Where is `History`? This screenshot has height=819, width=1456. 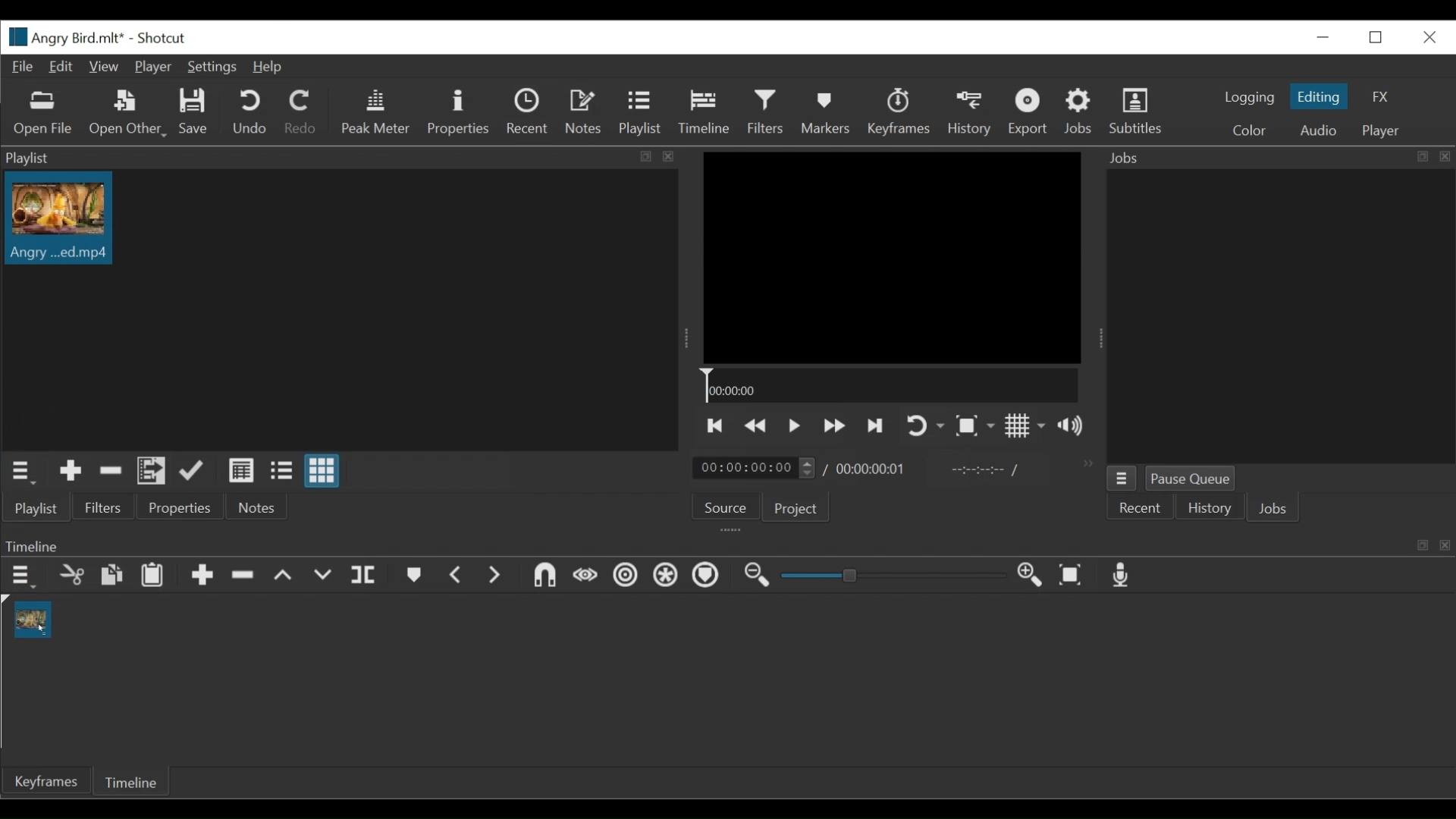
History is located at coordinates (970, 113).